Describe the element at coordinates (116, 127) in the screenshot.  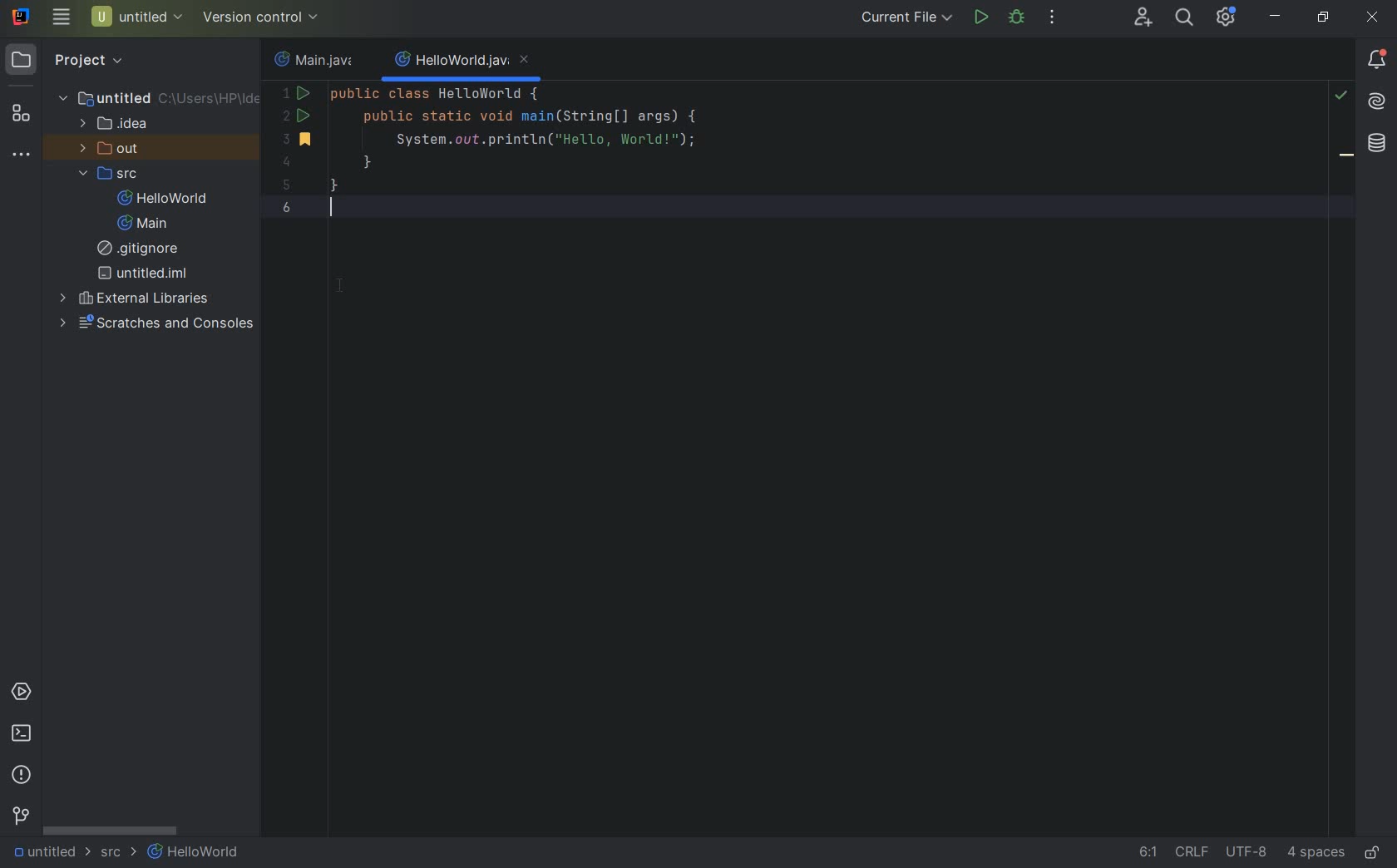
I see `idea` at that location.